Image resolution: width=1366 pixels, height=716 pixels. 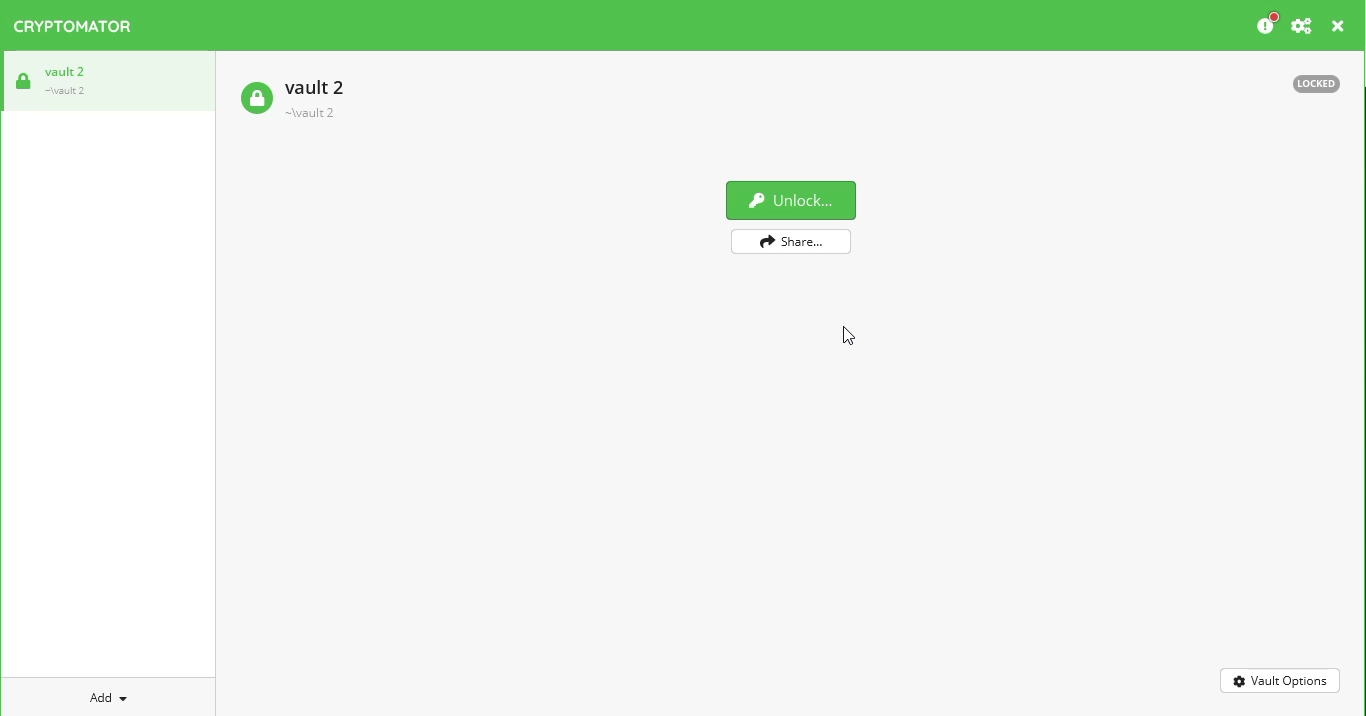 What do you see at coordinates (1302, 26) in the screenshot?
I see `preferences` at bounding box center [1302, 26].